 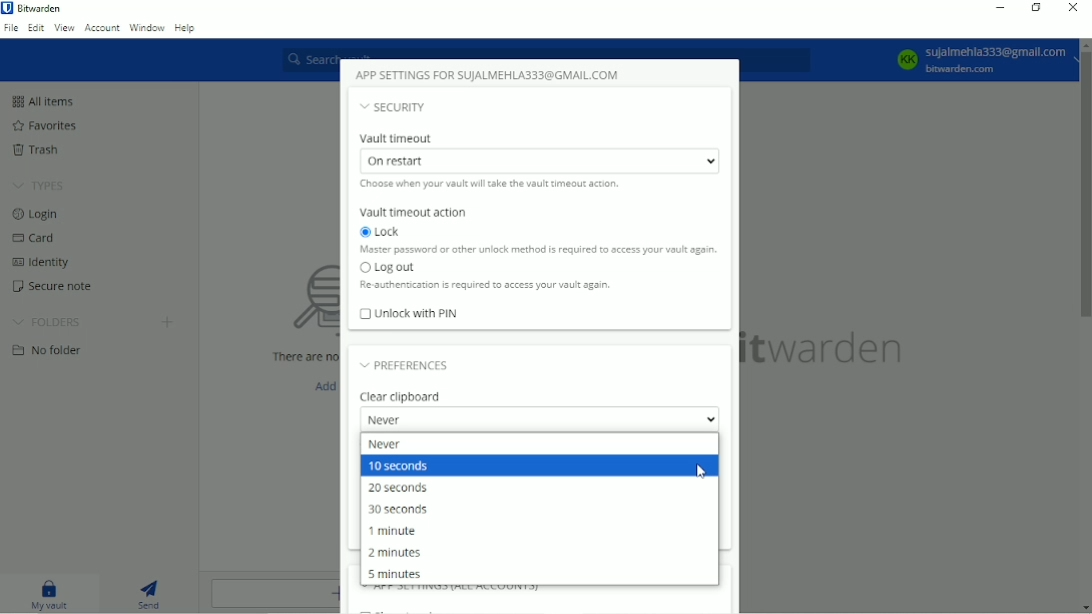 What do you see at coordinates (399, 574) in the screenshot?
I see `5 minutes` at bounding box center [399, 574].